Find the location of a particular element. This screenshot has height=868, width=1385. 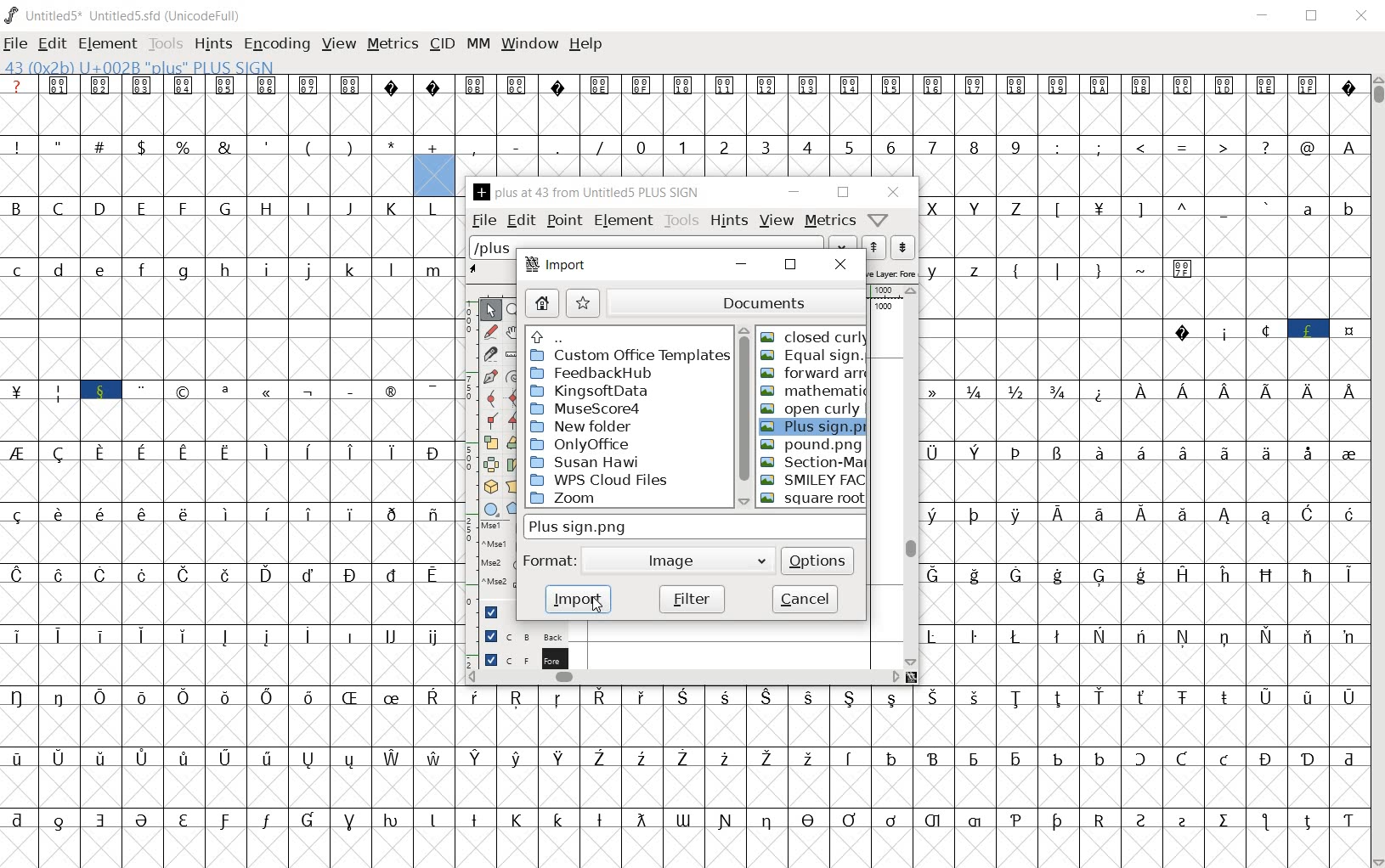

active layer is located at coordinates (890, 272).